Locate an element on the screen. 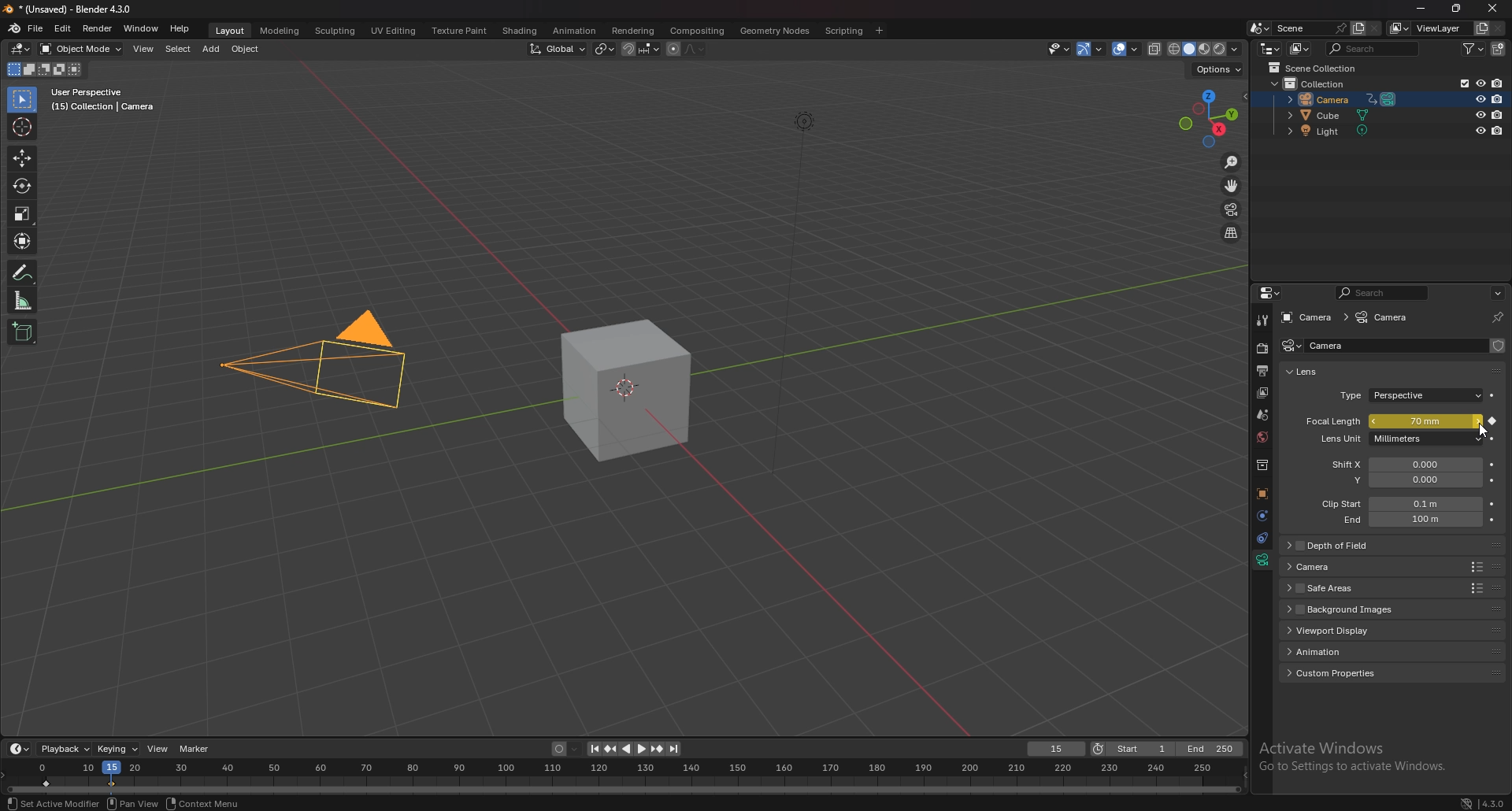 The width and height of the screenshot is (1512, 811). toggle xray is located at coordinates (1155, 49).